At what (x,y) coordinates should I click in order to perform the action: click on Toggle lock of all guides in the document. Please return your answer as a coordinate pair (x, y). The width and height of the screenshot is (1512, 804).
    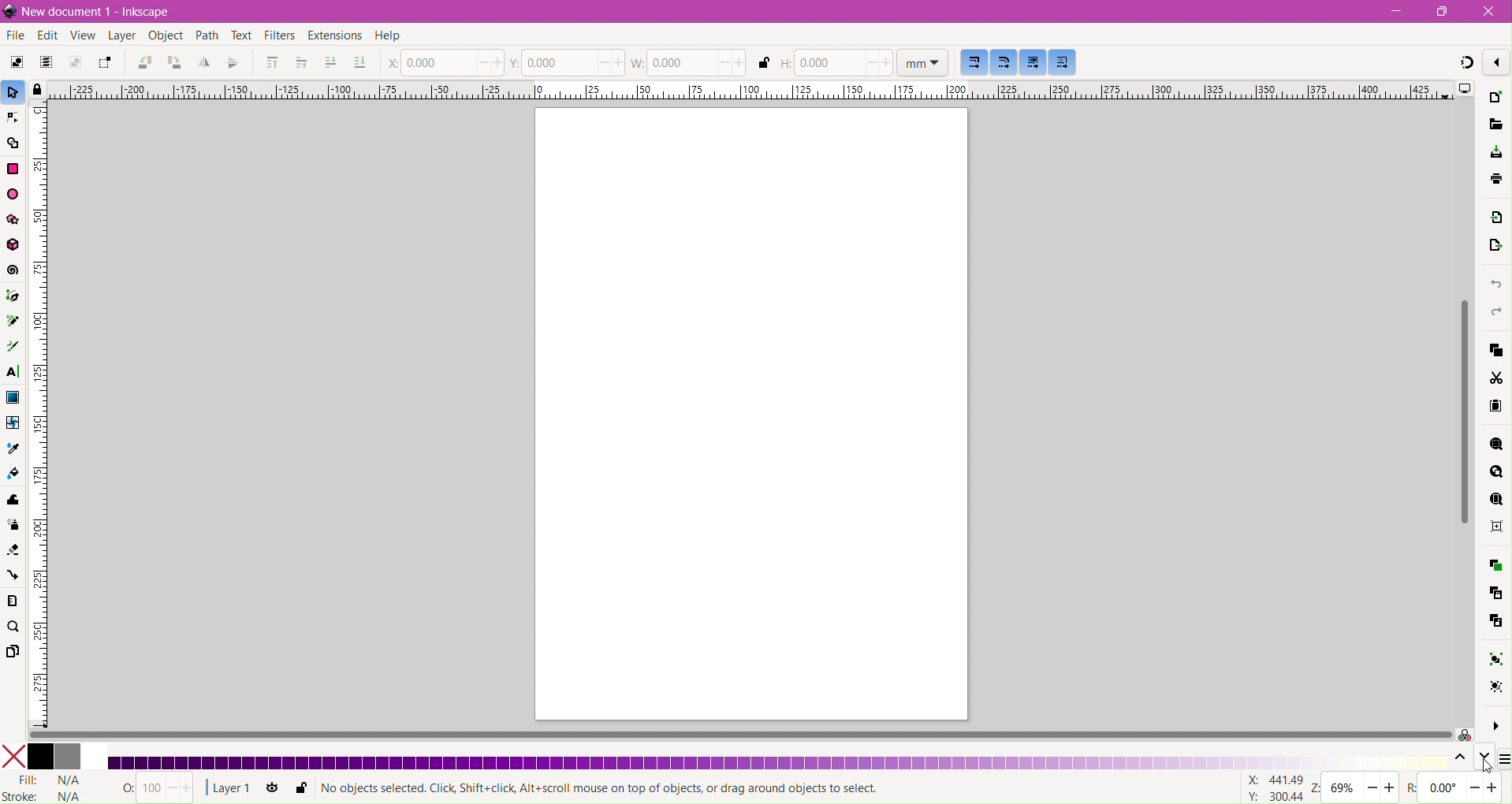
    Looking at the image, I should click on (35, 88).